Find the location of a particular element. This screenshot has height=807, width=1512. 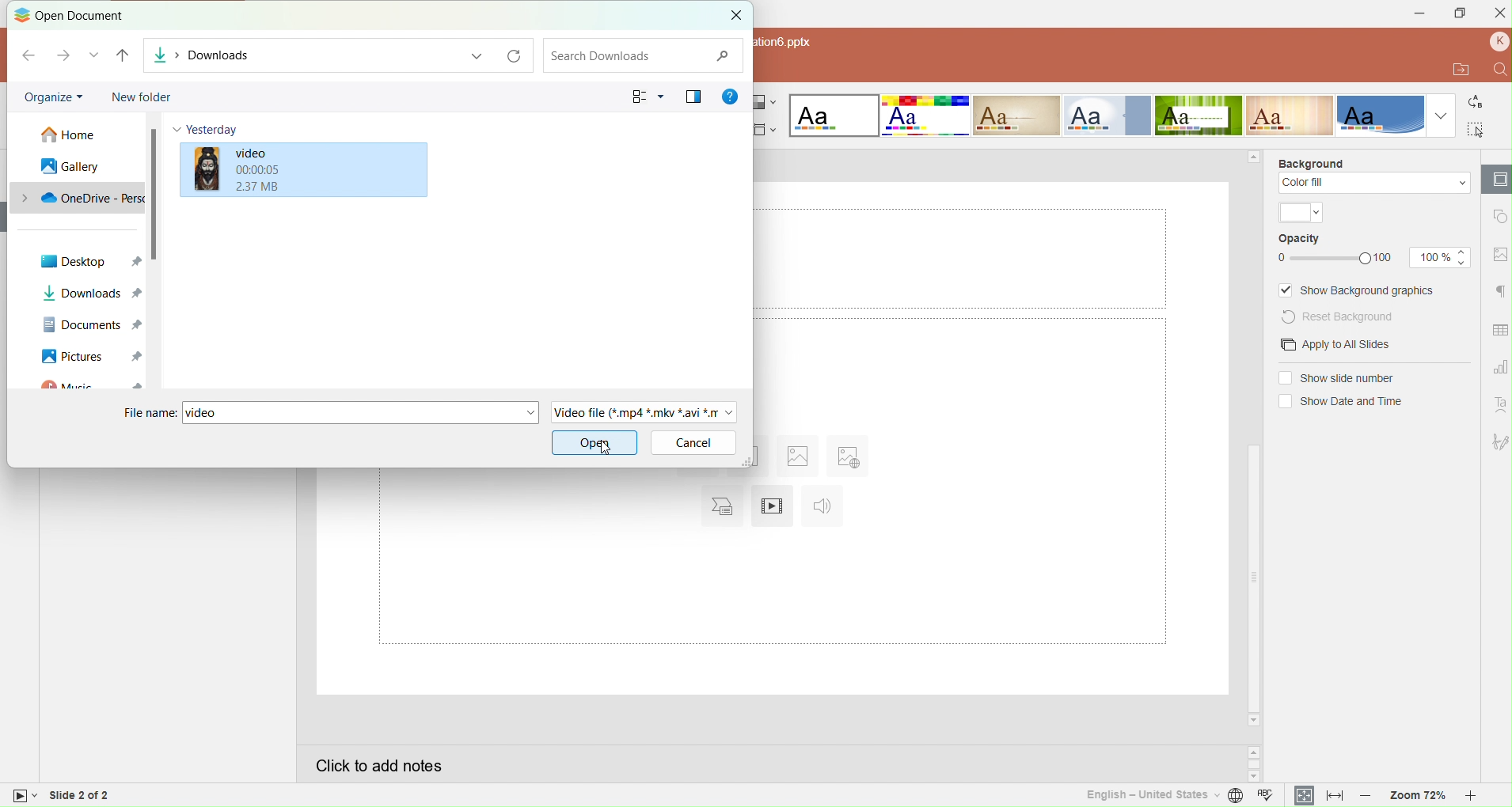

Documents is located at coordinates (89, 324).